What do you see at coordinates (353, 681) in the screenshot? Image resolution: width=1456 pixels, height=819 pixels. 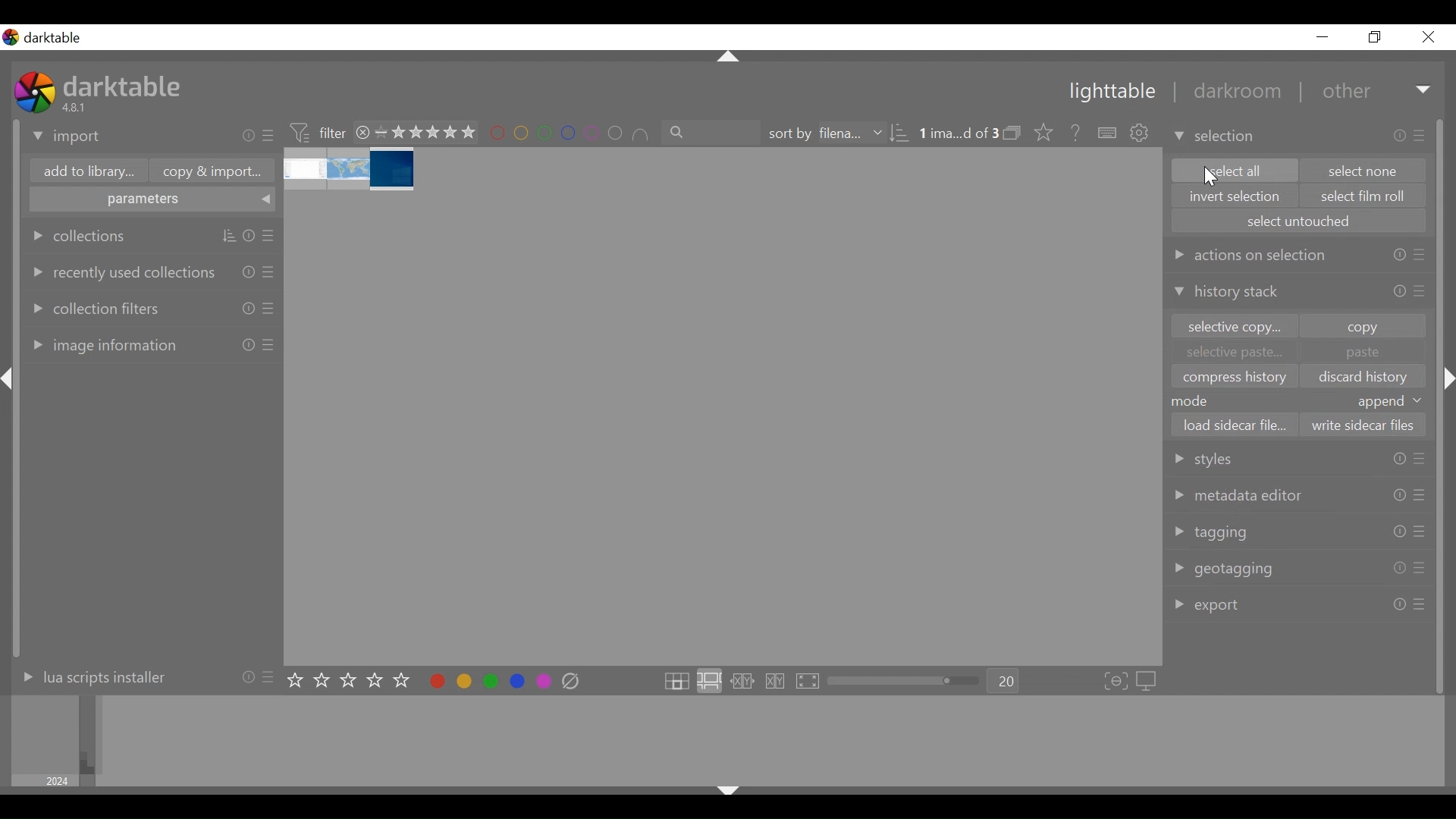 I see `set star rating` at bounding box center [353, 681].